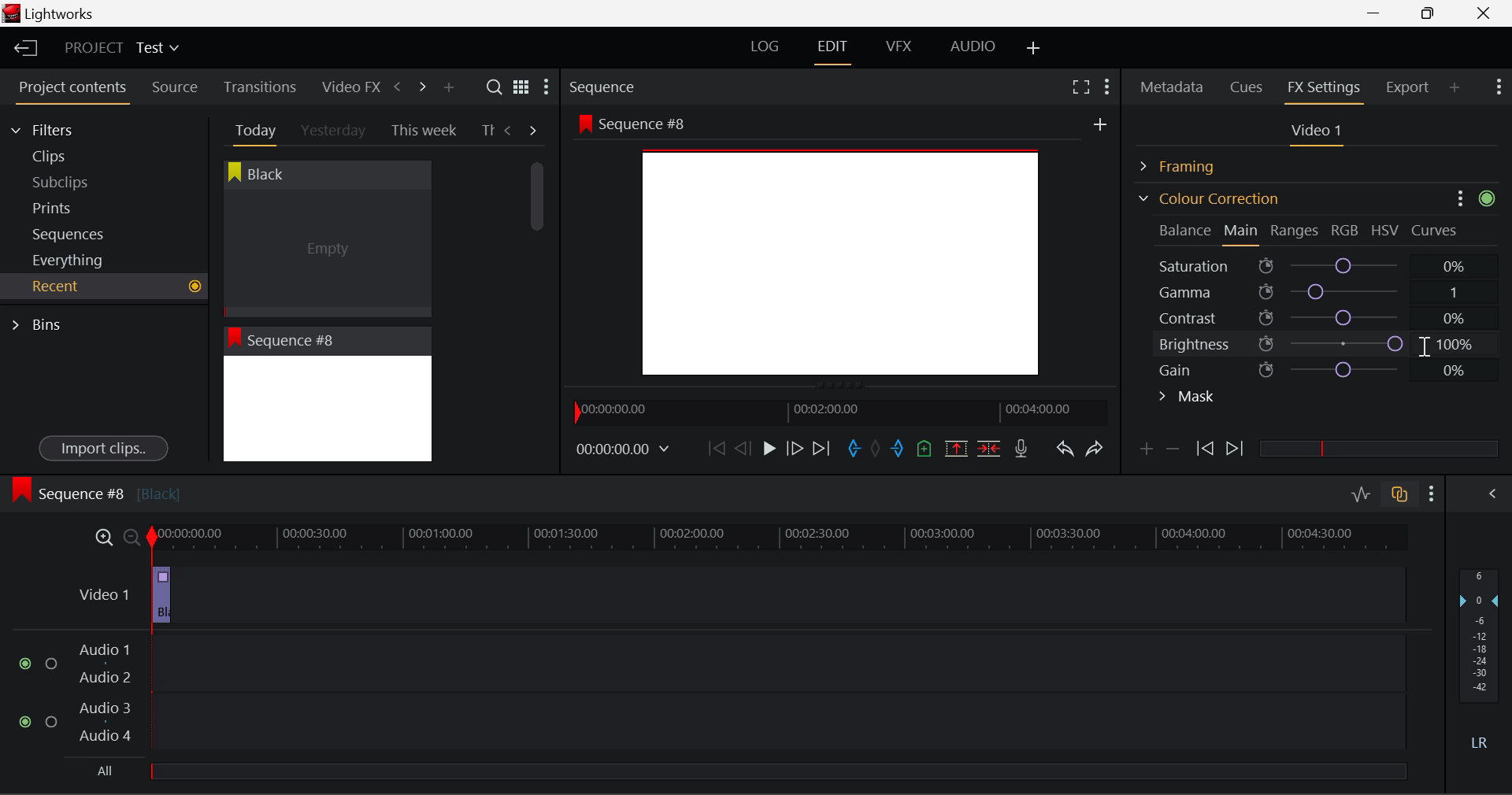  I want to click on Prints, so click(74, 205).